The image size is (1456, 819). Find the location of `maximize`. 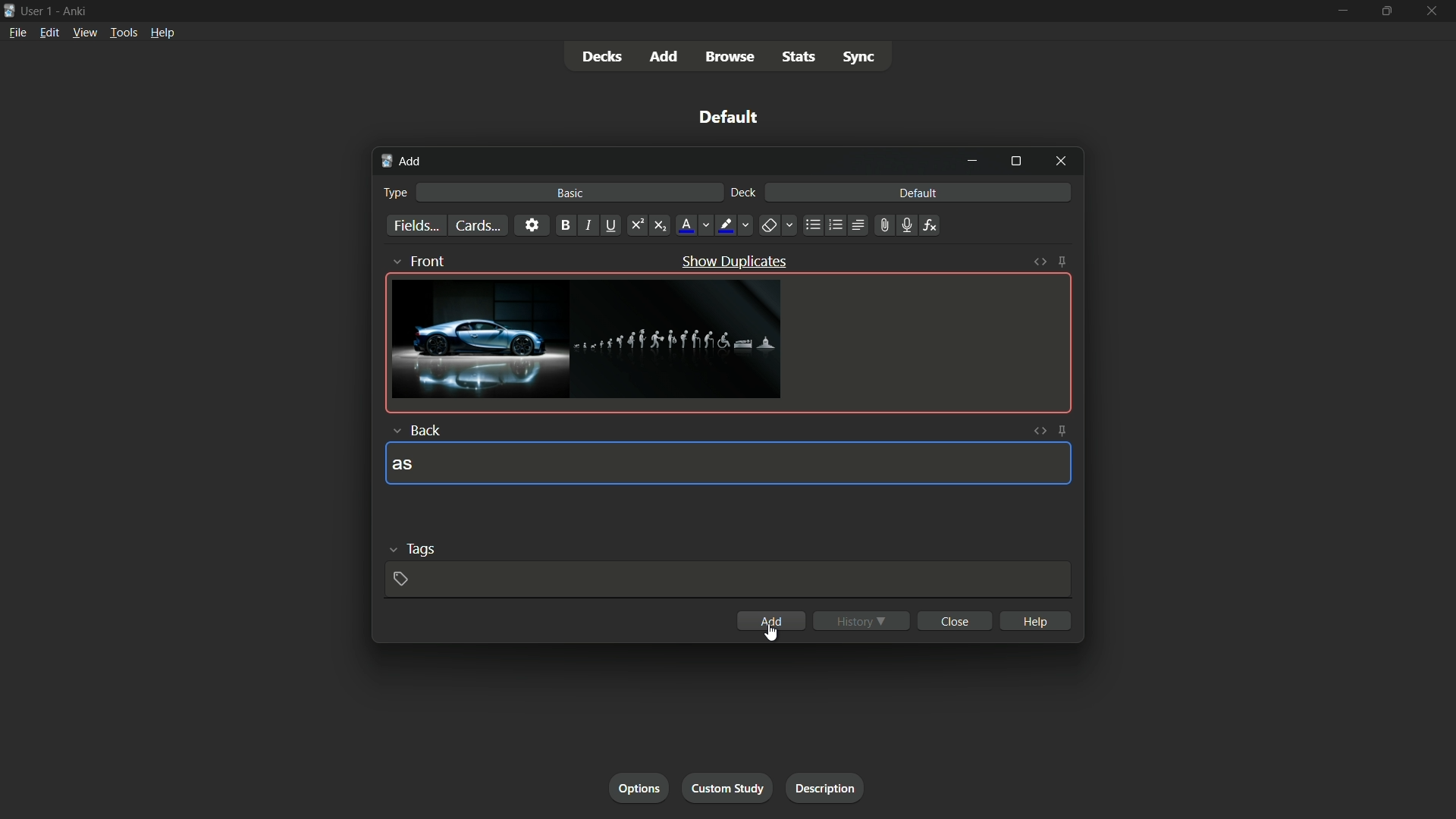

maximize is located at coordinates (1387, 11).